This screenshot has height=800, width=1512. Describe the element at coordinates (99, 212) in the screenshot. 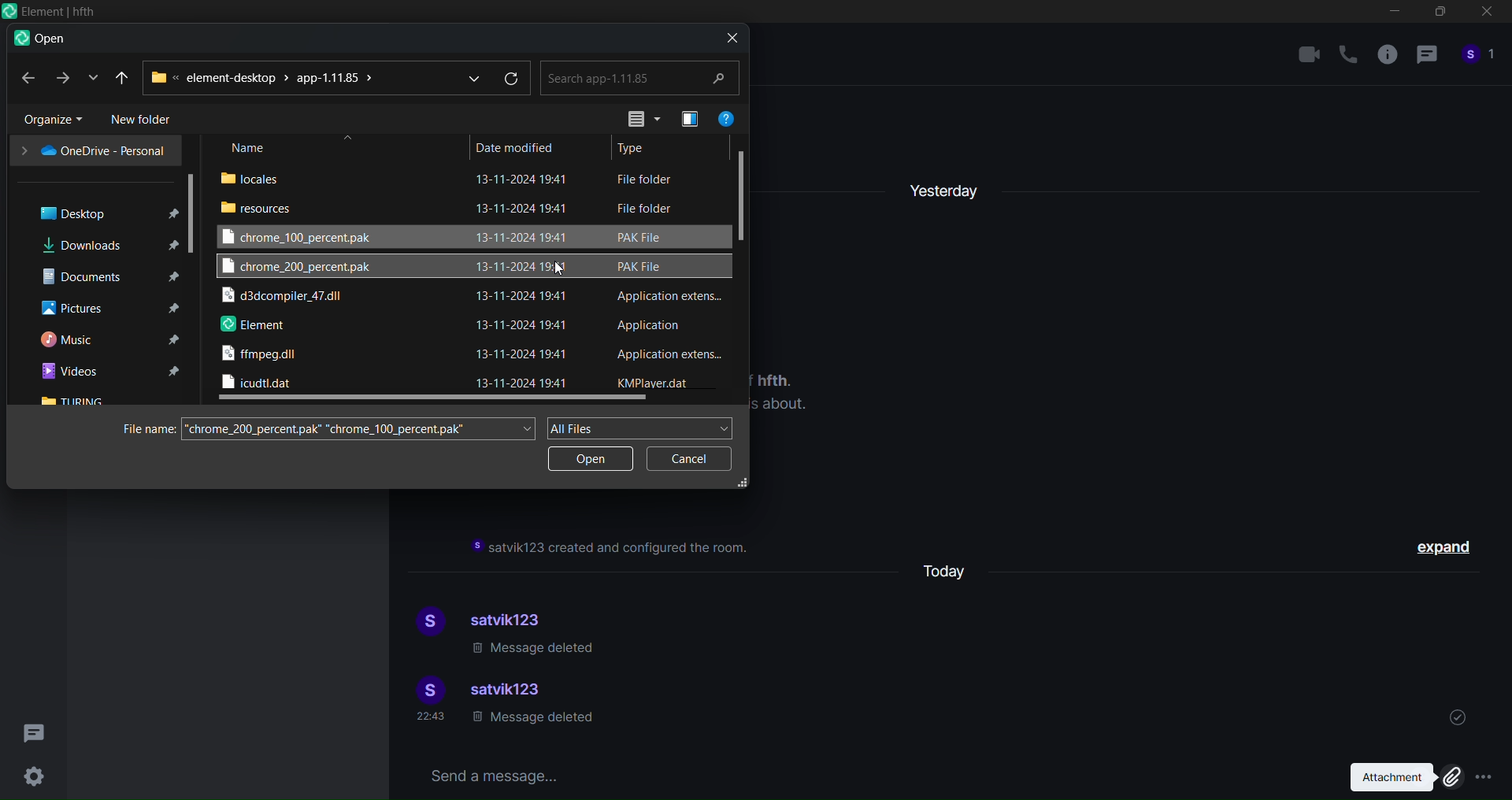

I see `desktop` at that location.